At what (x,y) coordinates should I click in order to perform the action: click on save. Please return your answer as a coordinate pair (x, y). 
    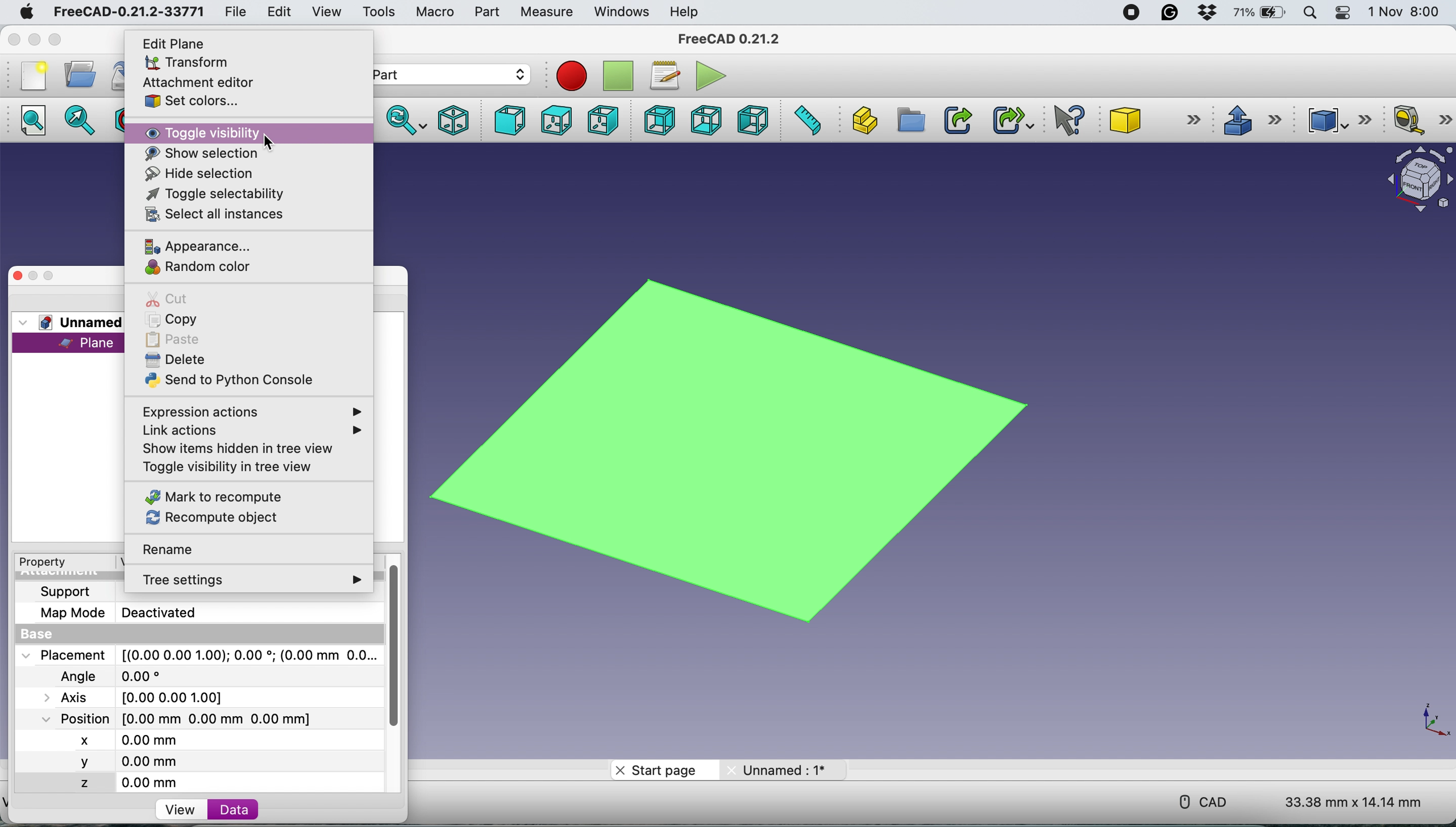
    Looking at the image, I should click on (115, 76).